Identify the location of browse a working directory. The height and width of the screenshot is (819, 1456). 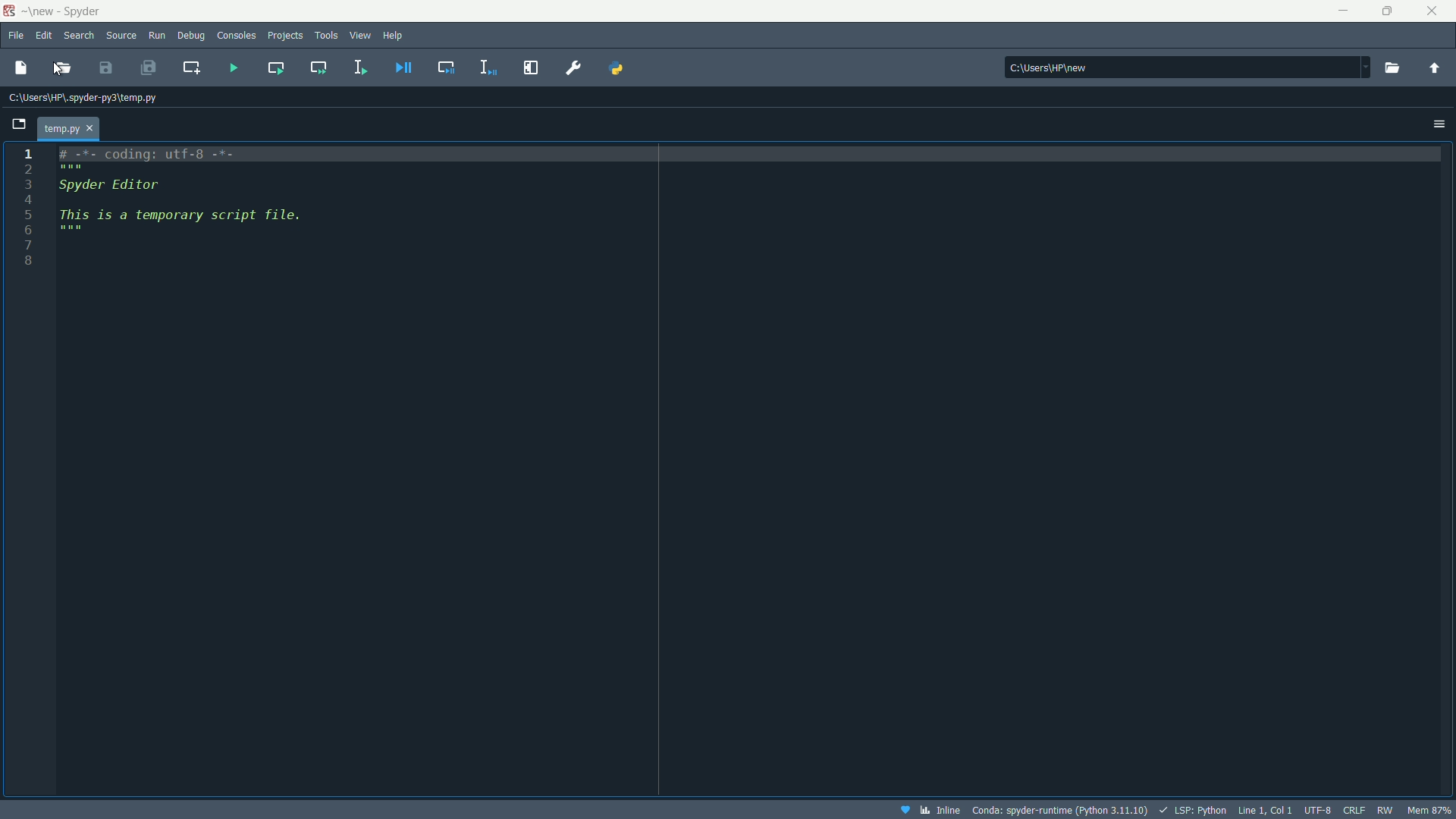
(1394, 68).